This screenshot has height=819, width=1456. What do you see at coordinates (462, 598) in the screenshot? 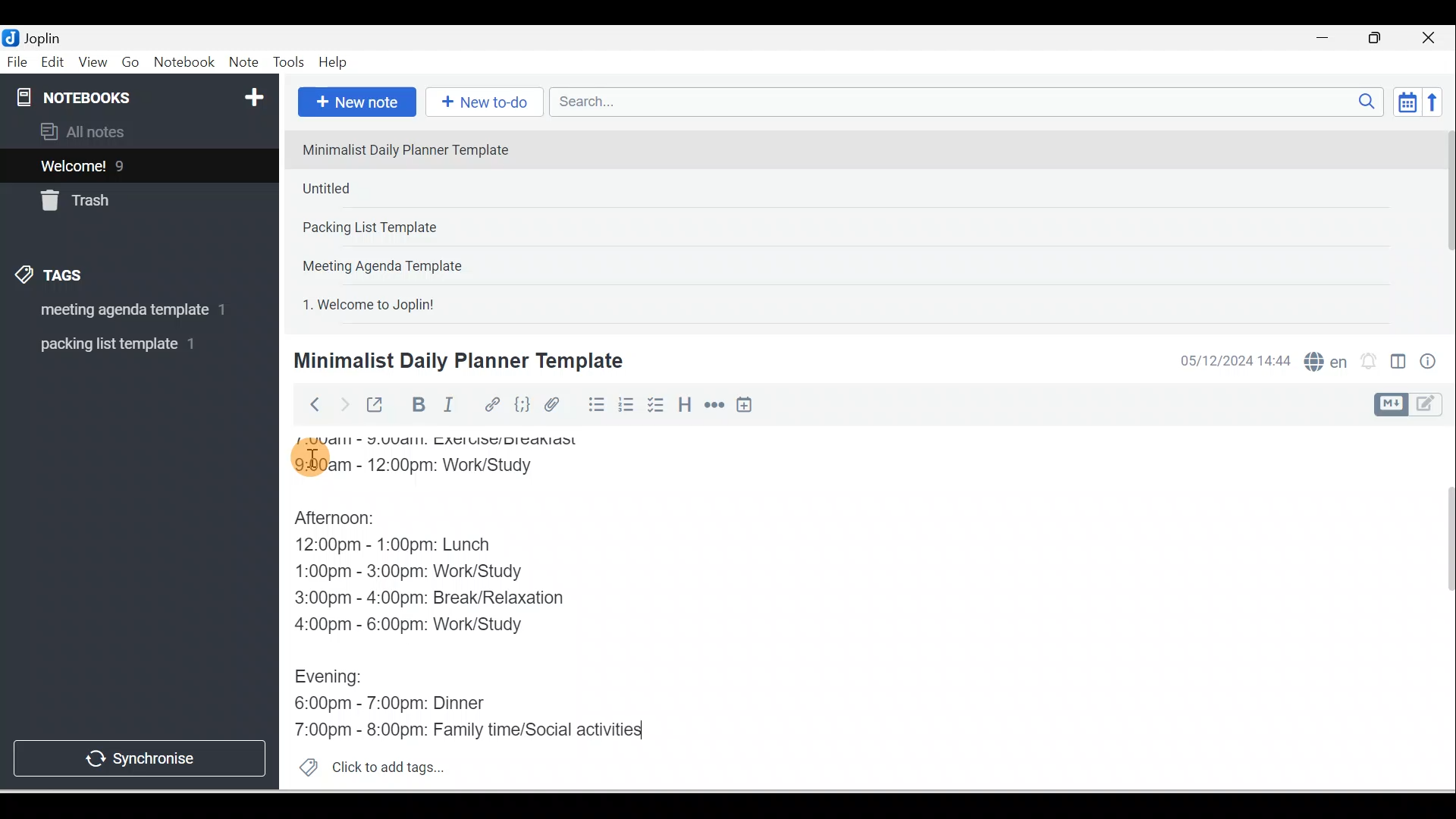
I see `3:00pm - 4:00pm: Break/Relaxation` at bounding box center [462, 598].